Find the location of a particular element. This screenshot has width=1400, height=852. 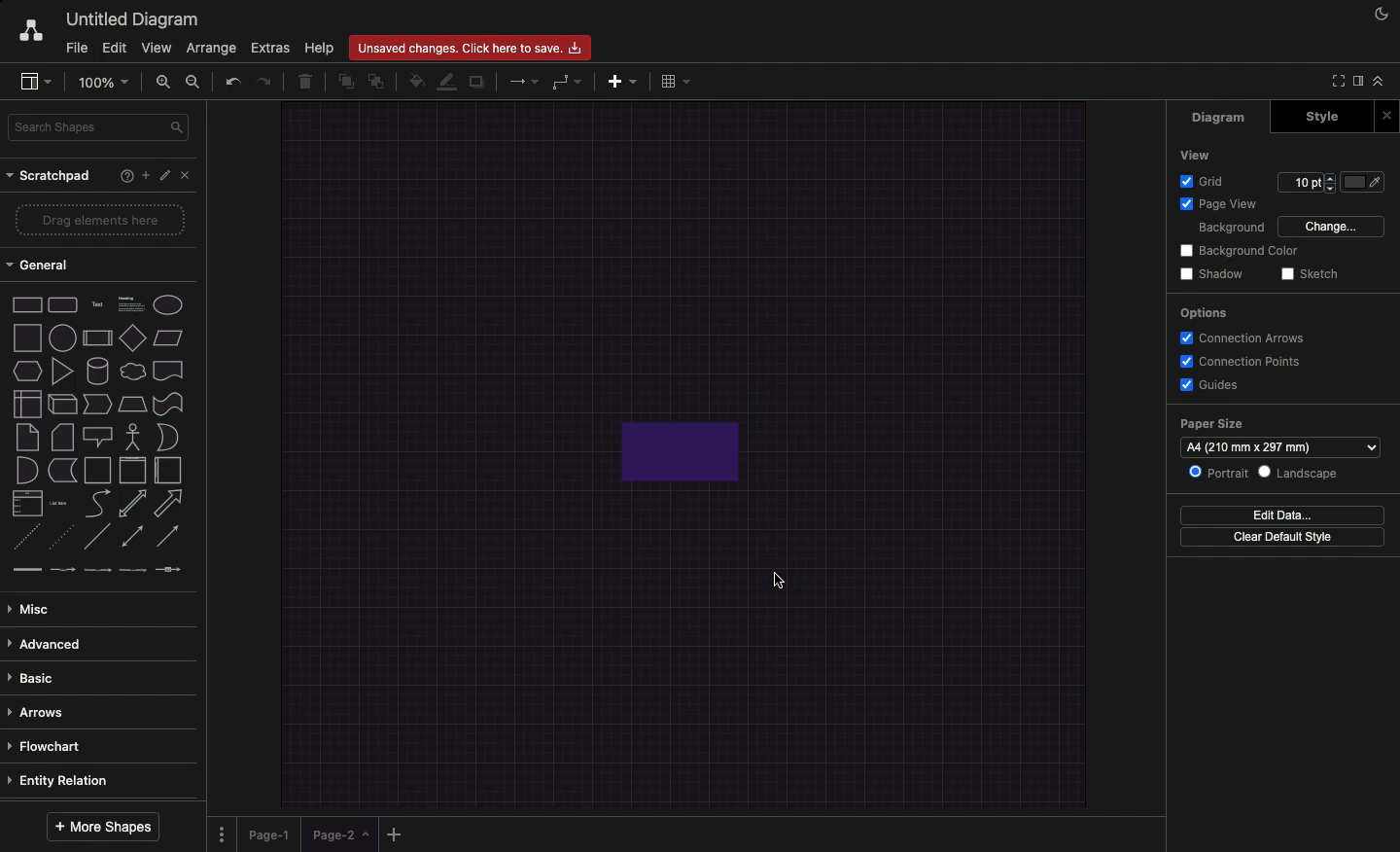

Zoom out is located at coordinates (194, 83).